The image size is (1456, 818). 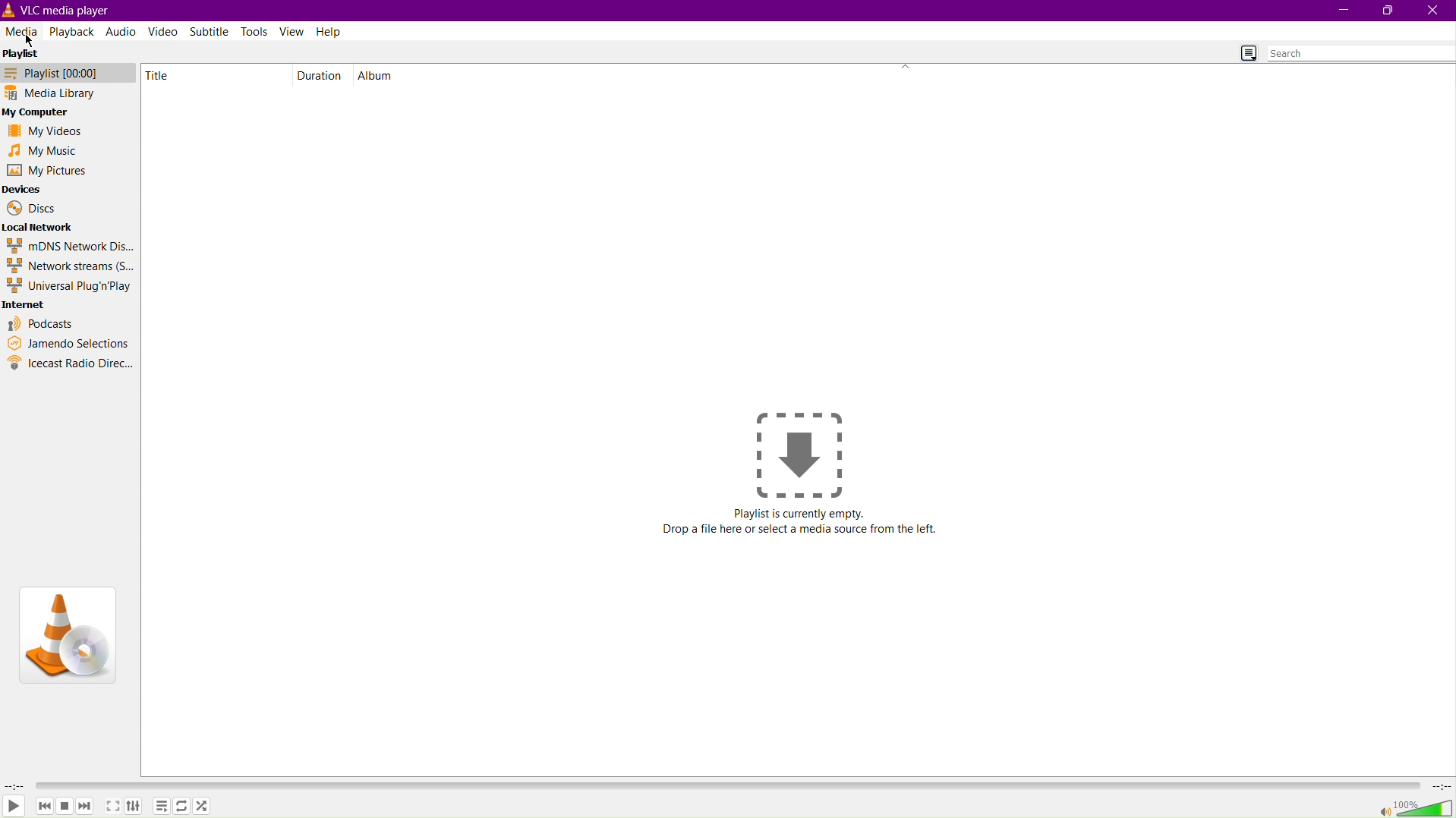 I want to click on Remaining time, so click(x=1439, y=786).